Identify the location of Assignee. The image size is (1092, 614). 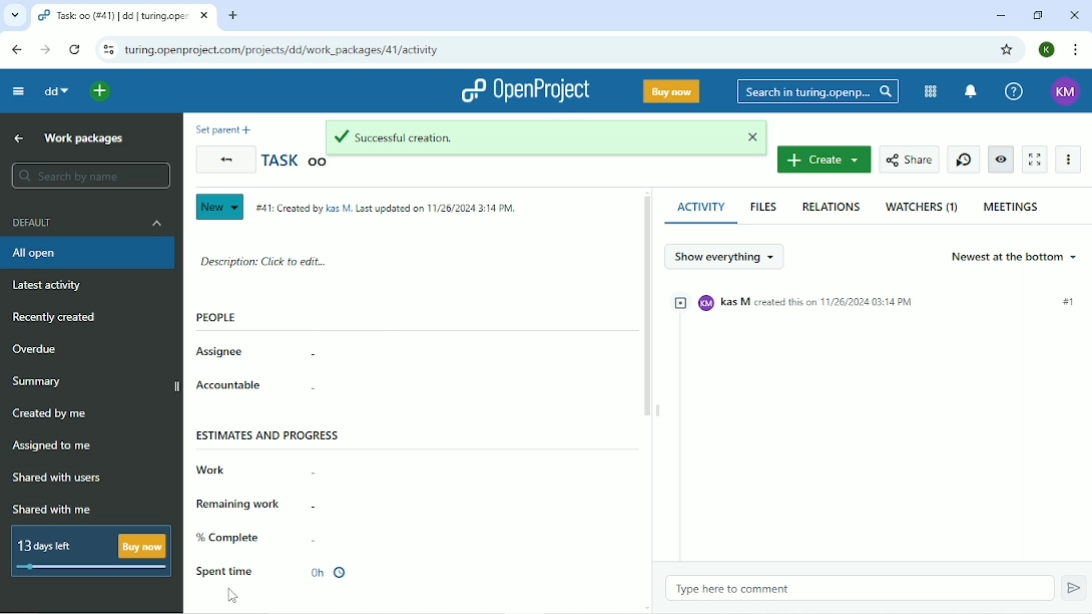
(220, 352).